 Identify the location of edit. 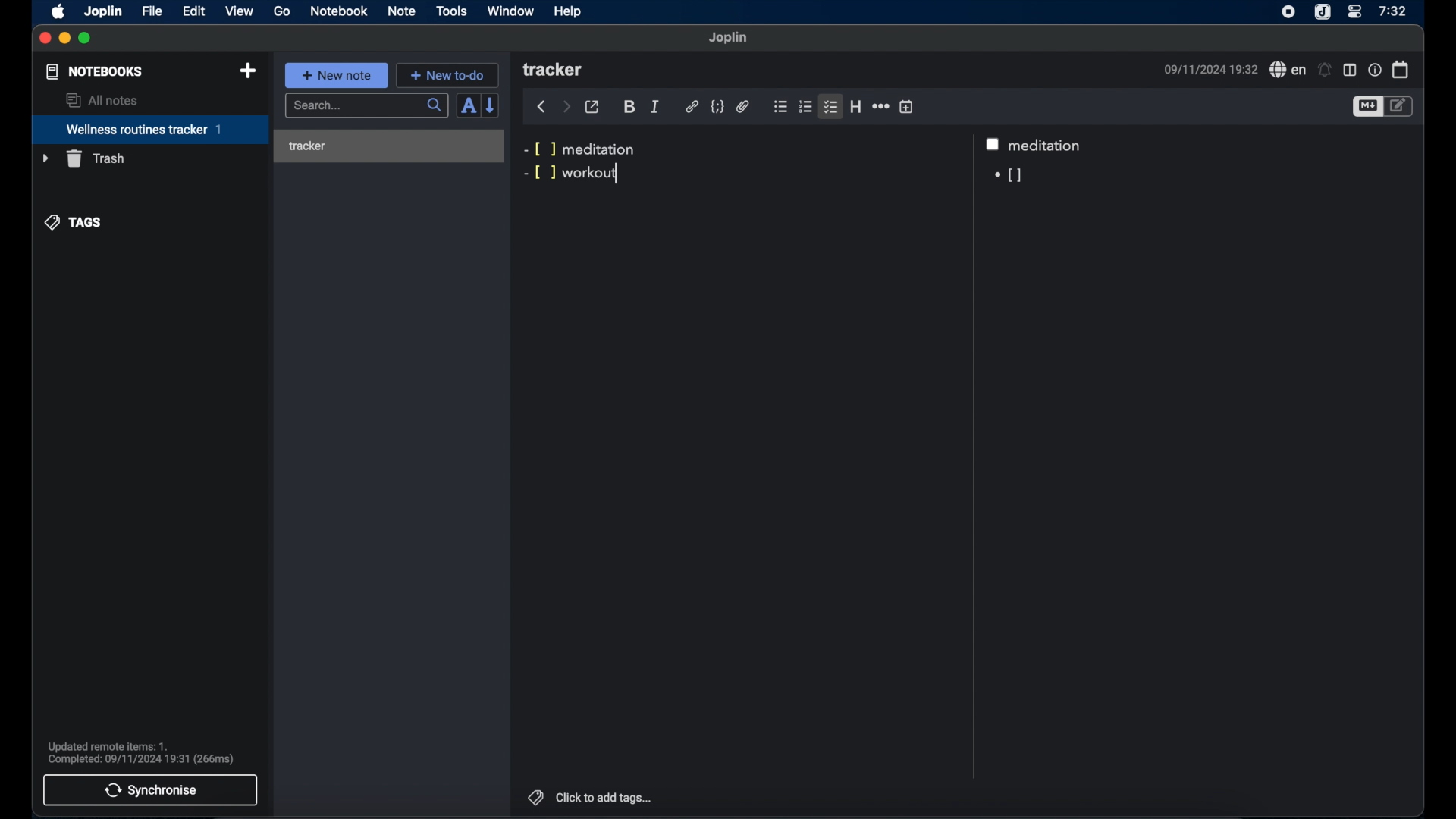
(193, 11).